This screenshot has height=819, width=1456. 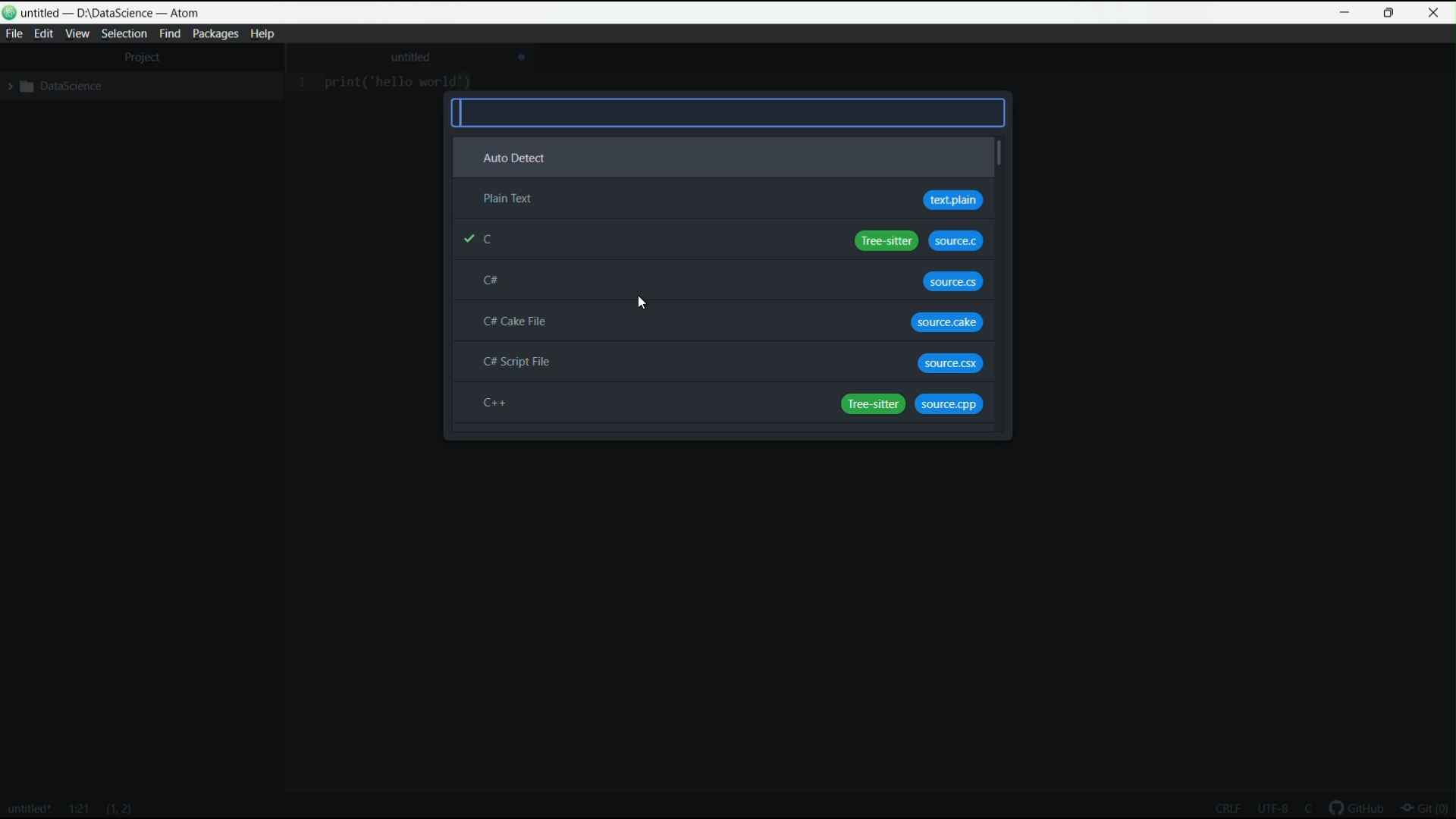 I want to click on text plain, so click(x=953, y=200).